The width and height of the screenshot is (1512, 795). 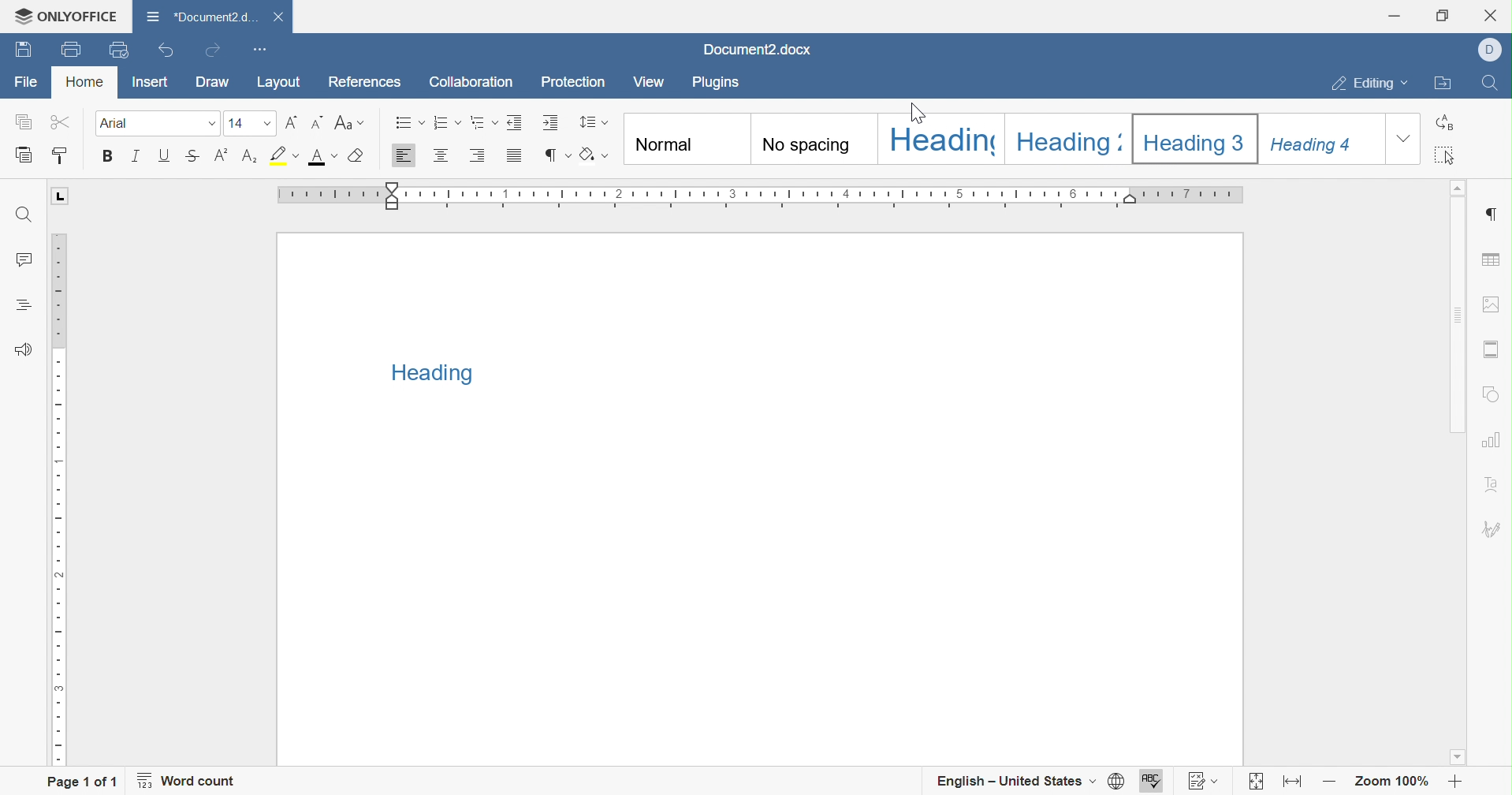 I want to click on Zoom 100%, so click(x=1389, y=782).